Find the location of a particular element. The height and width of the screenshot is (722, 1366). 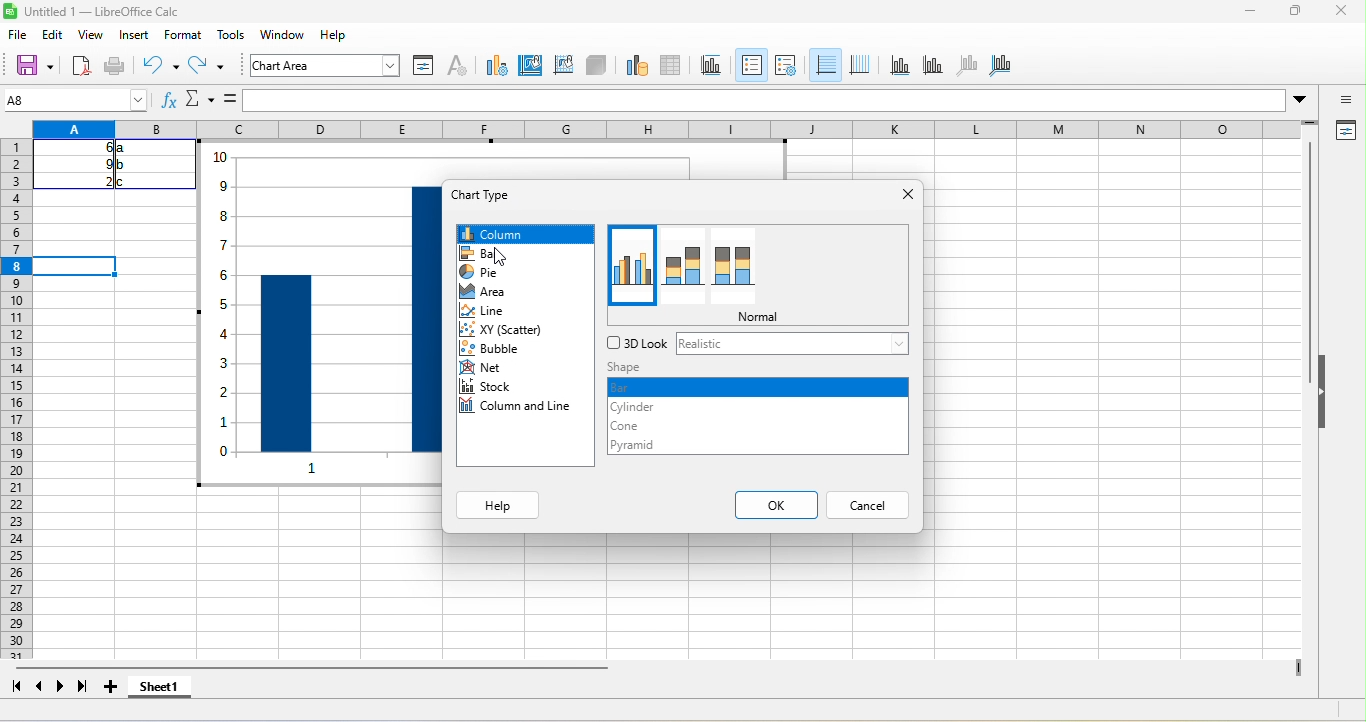

character is located at coordinates (459, 67).